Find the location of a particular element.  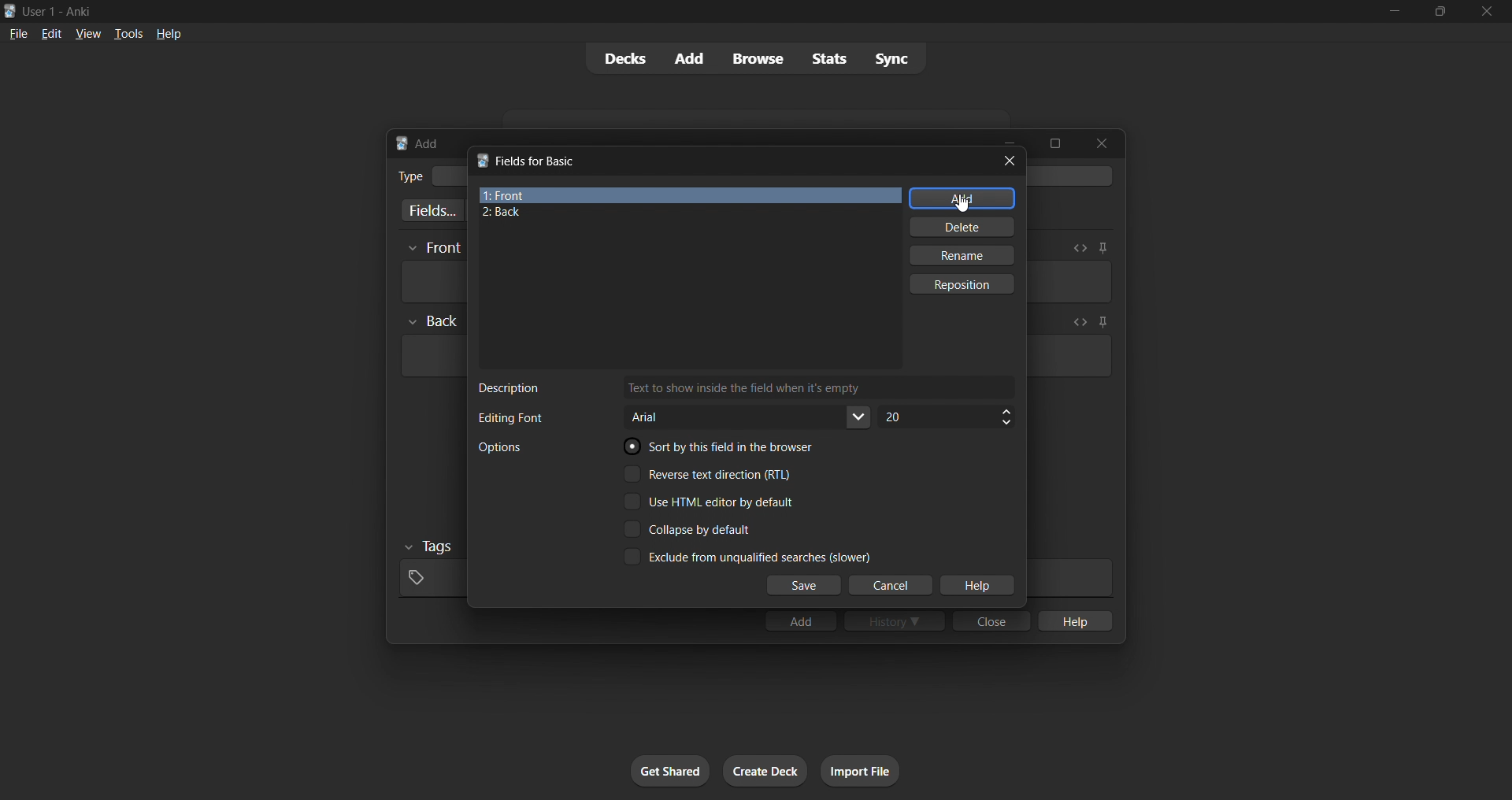

rename  is located at coordinates (961, 255).